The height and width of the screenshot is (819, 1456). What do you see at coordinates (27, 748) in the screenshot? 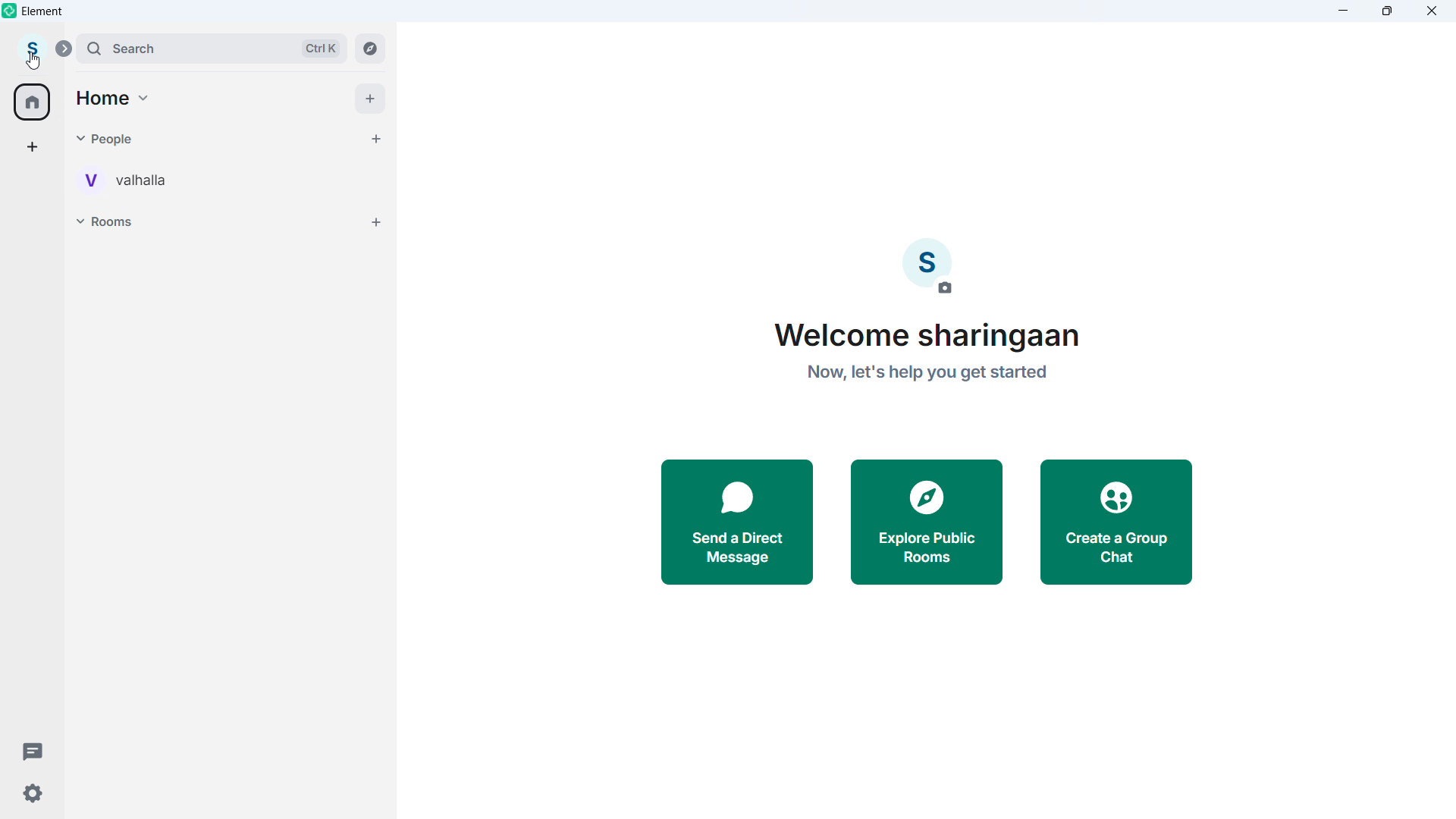
I see `Threads ` at bounding box center [27, 748].